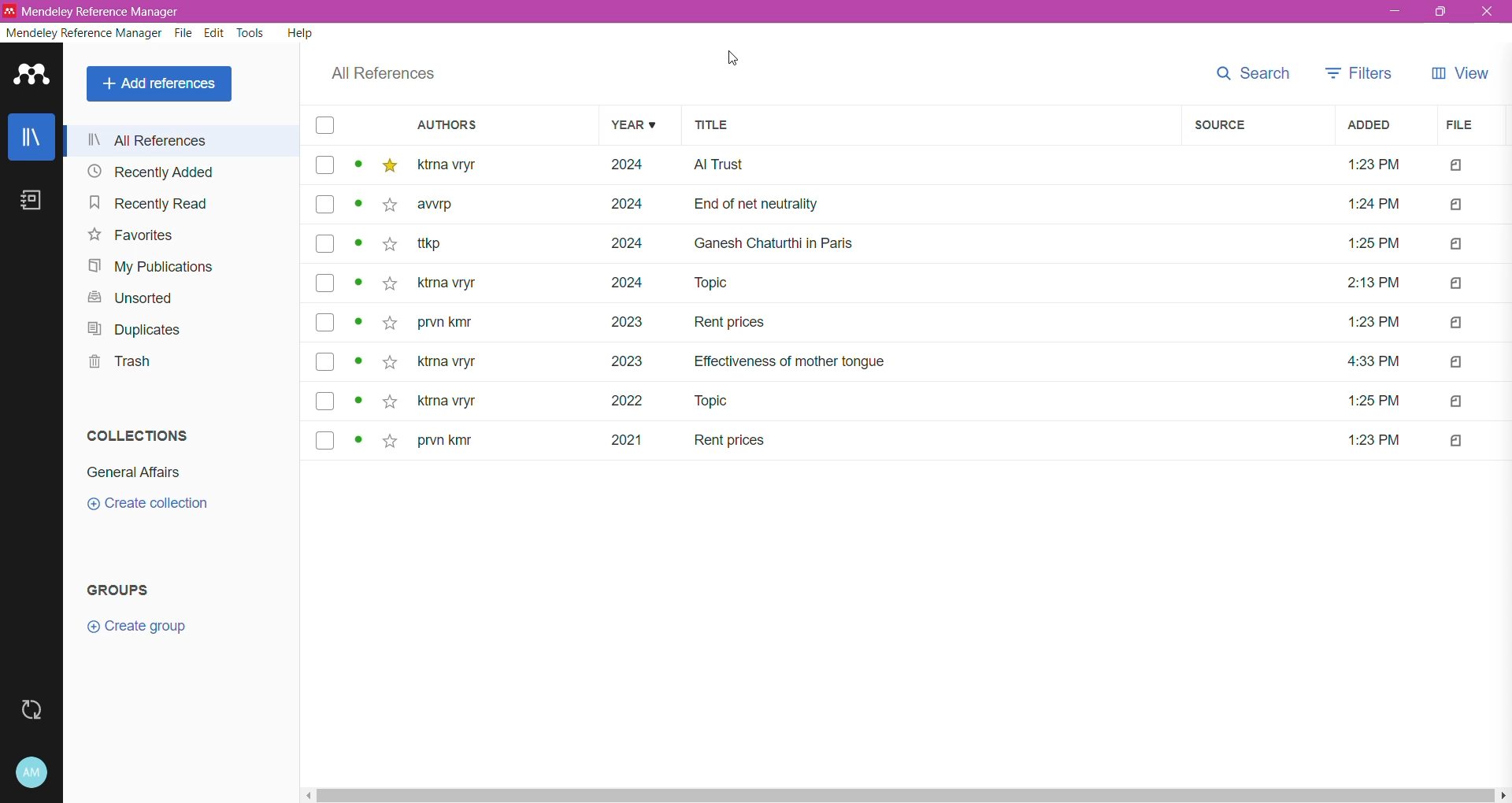 The image size is (1512, 803). I want to click on Search, so click(1252, 73).